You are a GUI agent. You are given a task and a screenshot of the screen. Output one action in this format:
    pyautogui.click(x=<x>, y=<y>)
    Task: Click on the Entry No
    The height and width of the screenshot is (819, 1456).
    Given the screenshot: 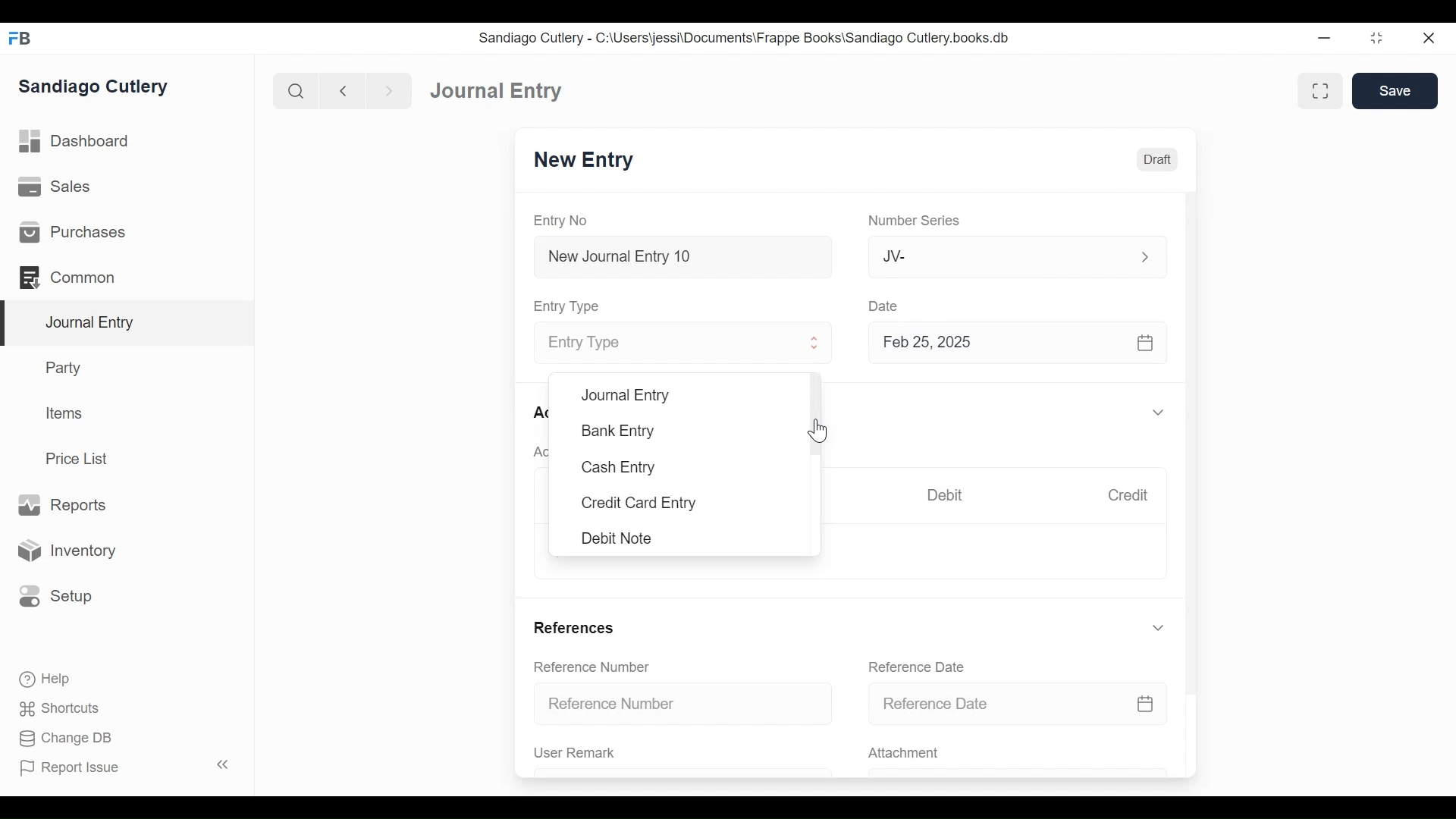 What is the action you would take?
    pyautogui.click(x=565, y=220)
    